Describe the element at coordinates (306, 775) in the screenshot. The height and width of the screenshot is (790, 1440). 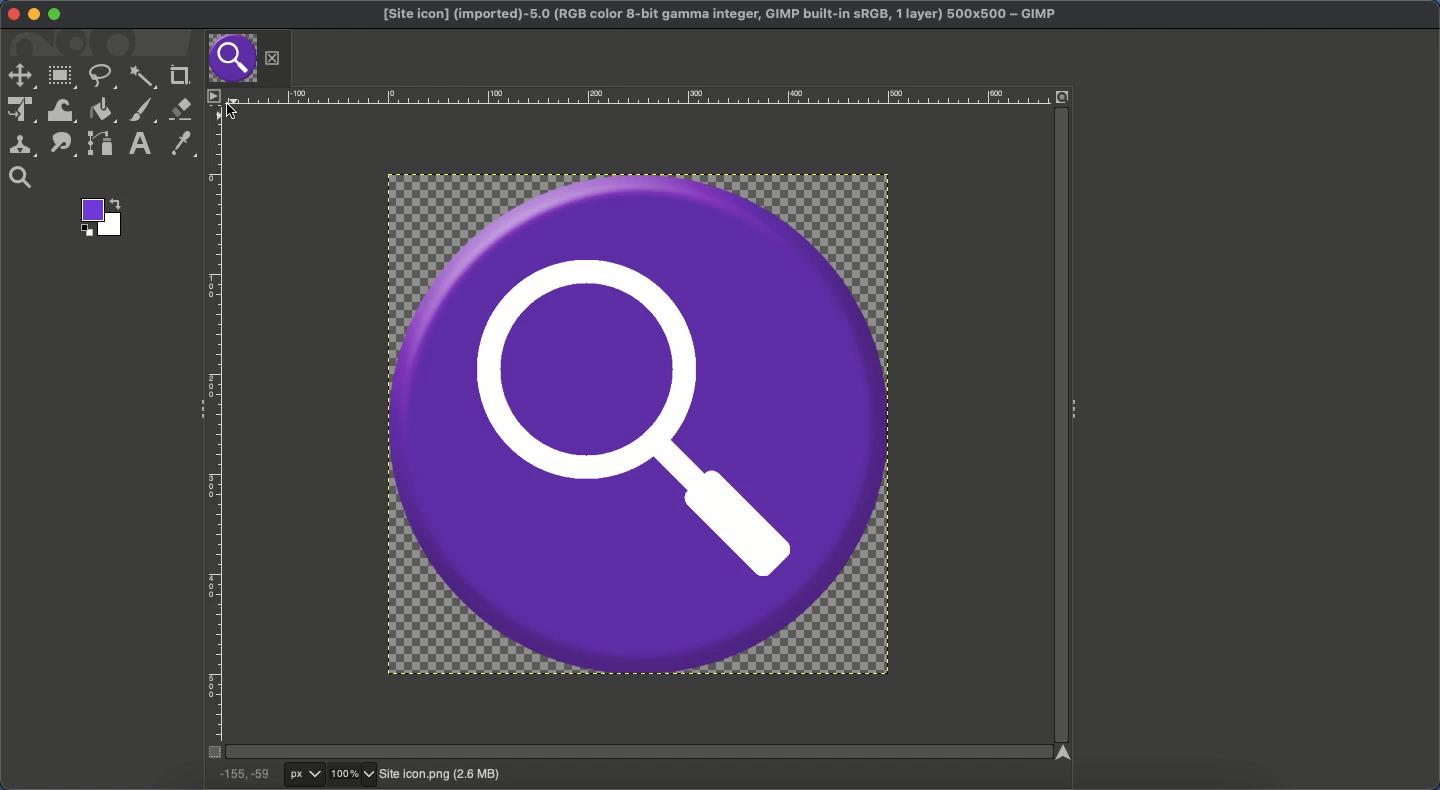
I see `pc` at that location.